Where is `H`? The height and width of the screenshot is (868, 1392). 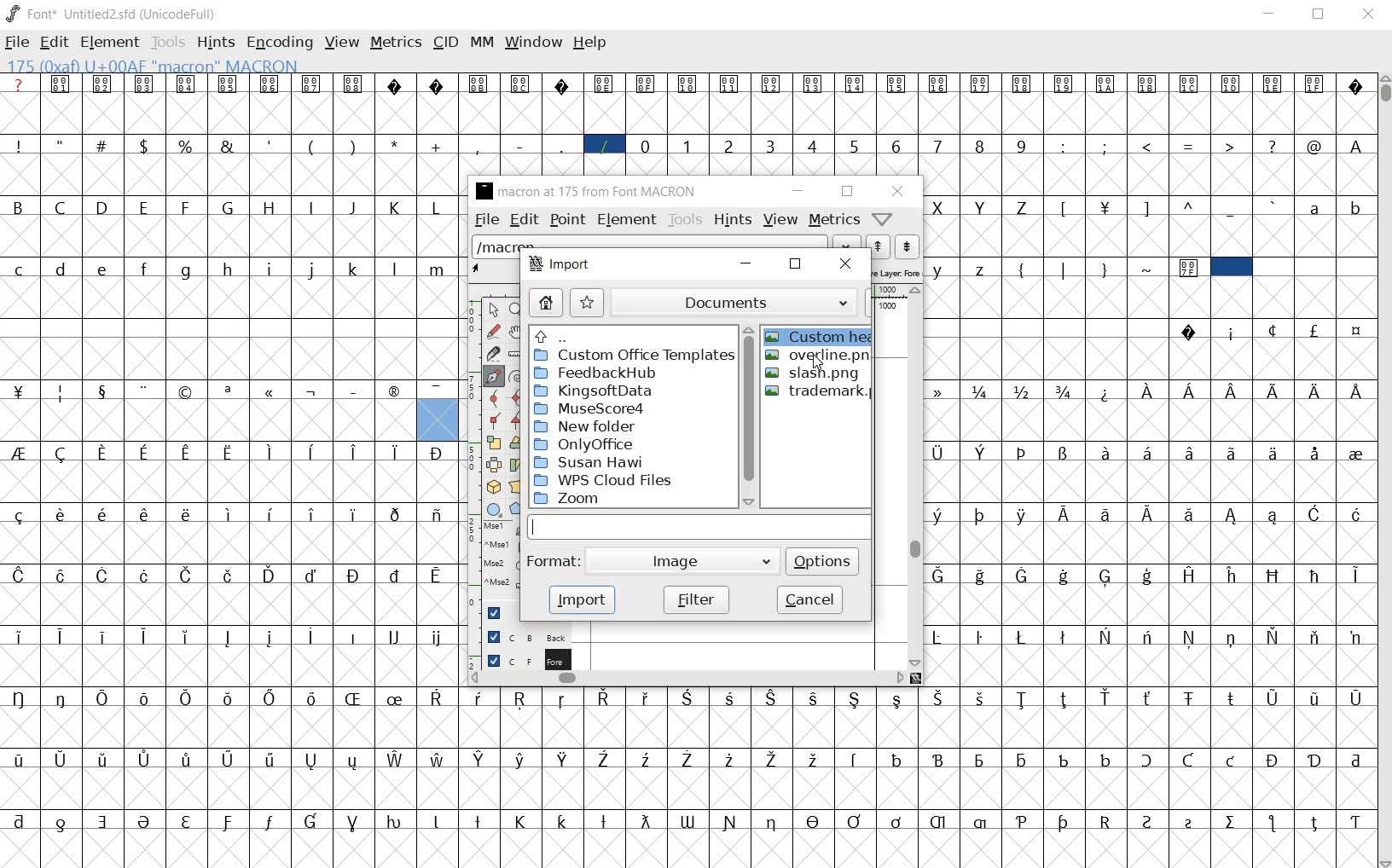
H is located at coordinates (273, 206).